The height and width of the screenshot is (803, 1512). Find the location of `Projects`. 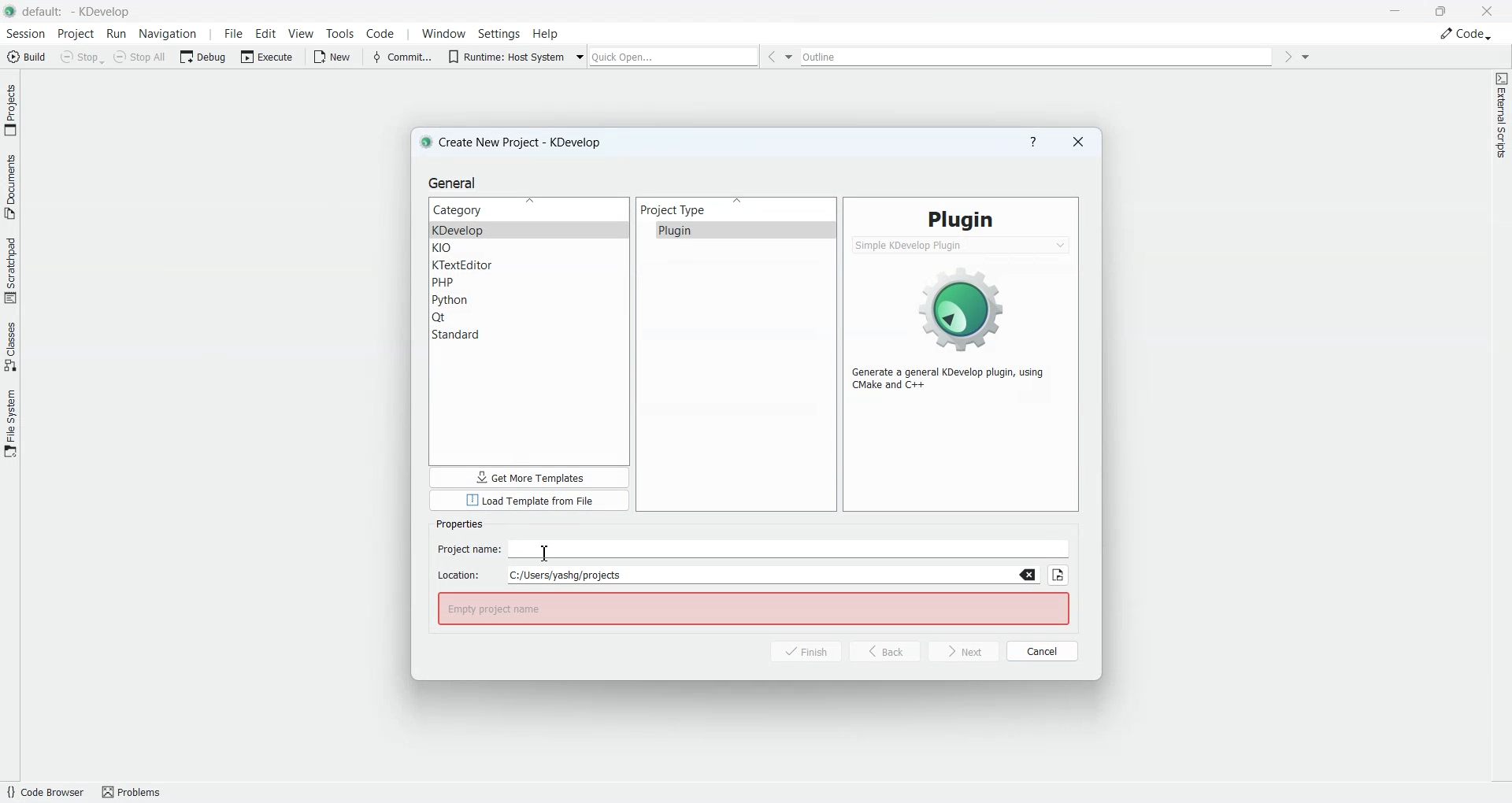

Projects is located at coordinates (11, 109).